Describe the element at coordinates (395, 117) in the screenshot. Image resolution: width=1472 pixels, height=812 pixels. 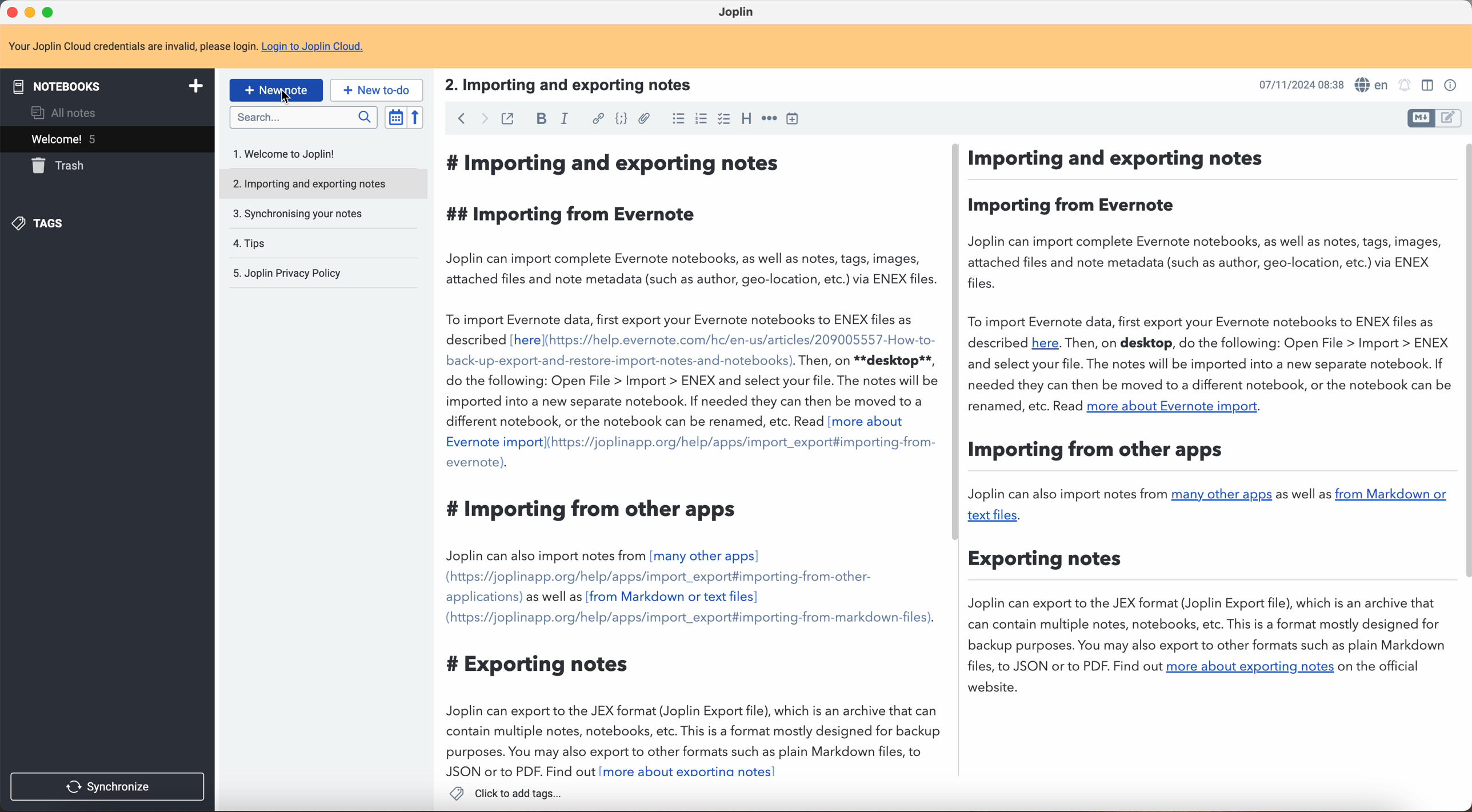
I see `toggle sort order field` at that location.